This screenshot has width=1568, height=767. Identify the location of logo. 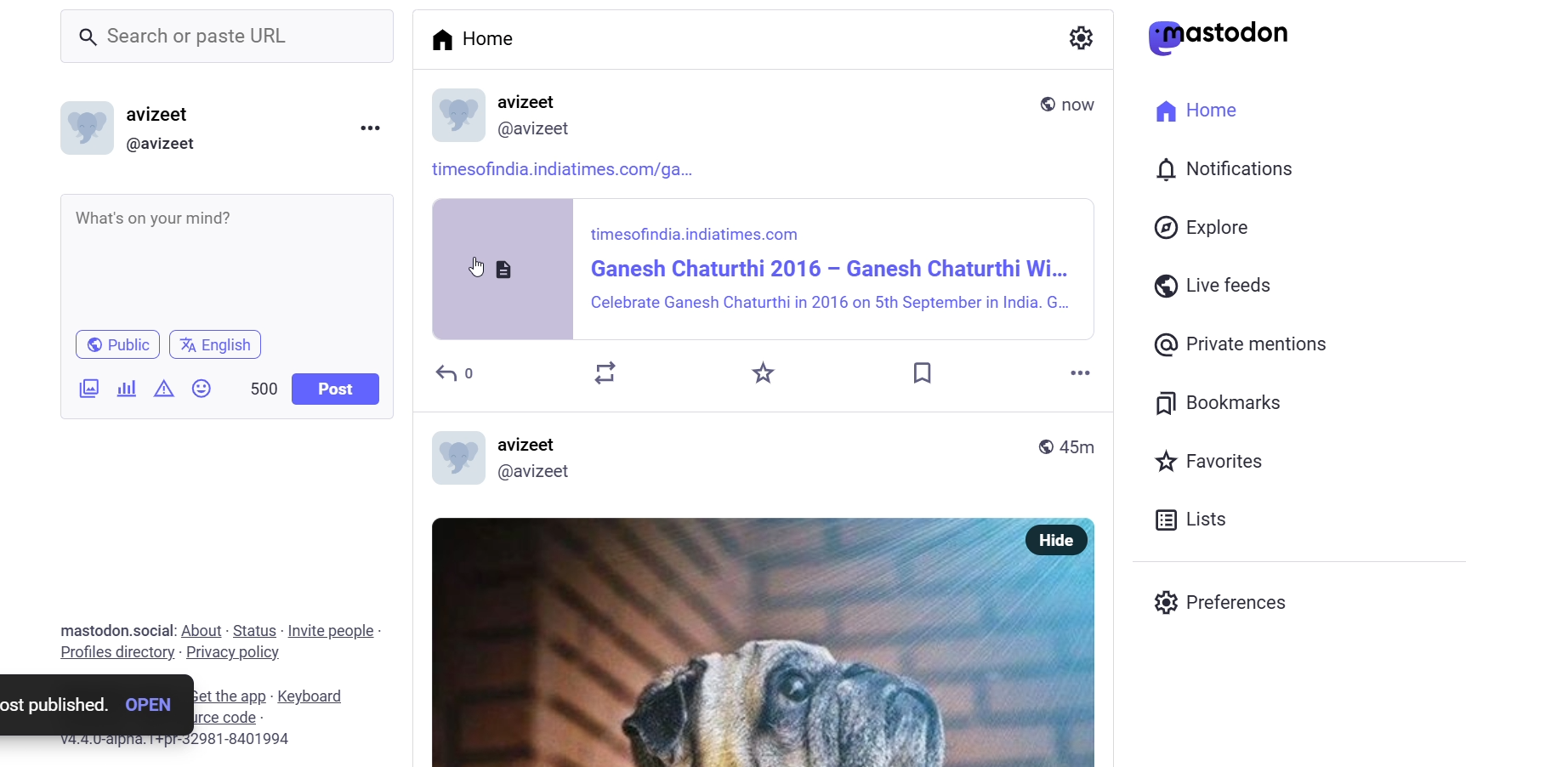
(81, 124).